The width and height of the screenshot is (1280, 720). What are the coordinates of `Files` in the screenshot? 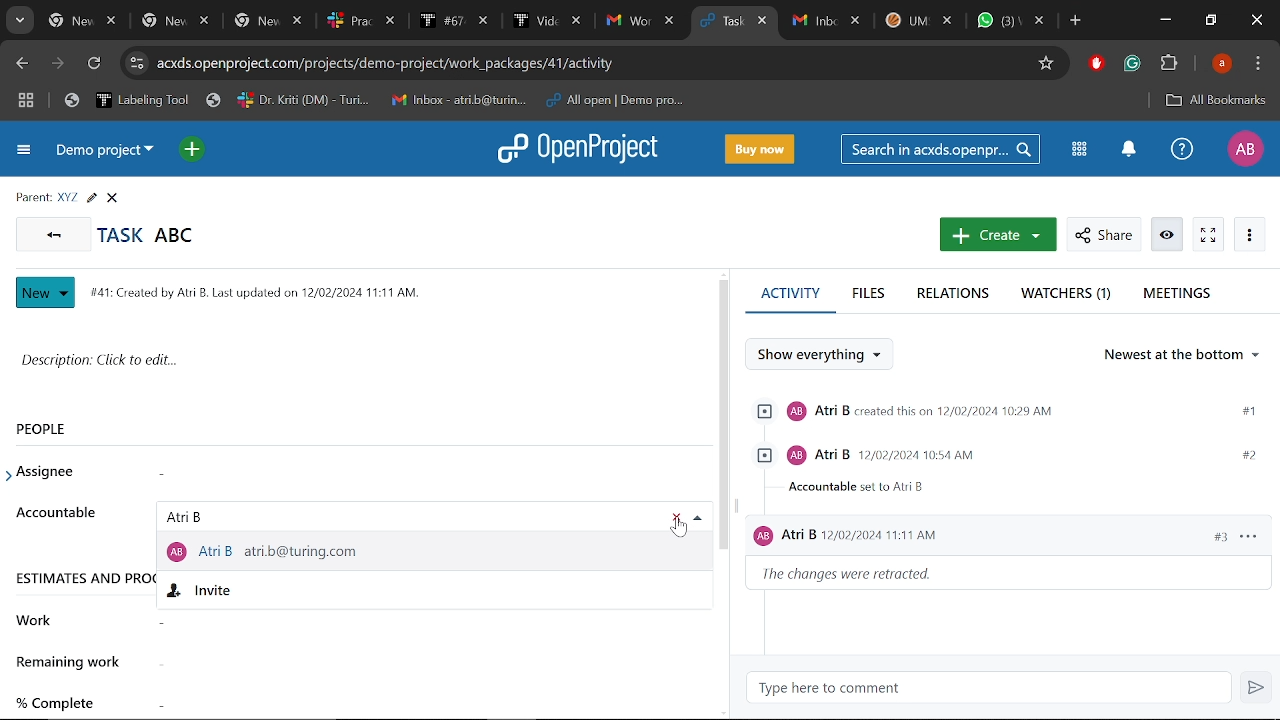 It's located at (867, 294).